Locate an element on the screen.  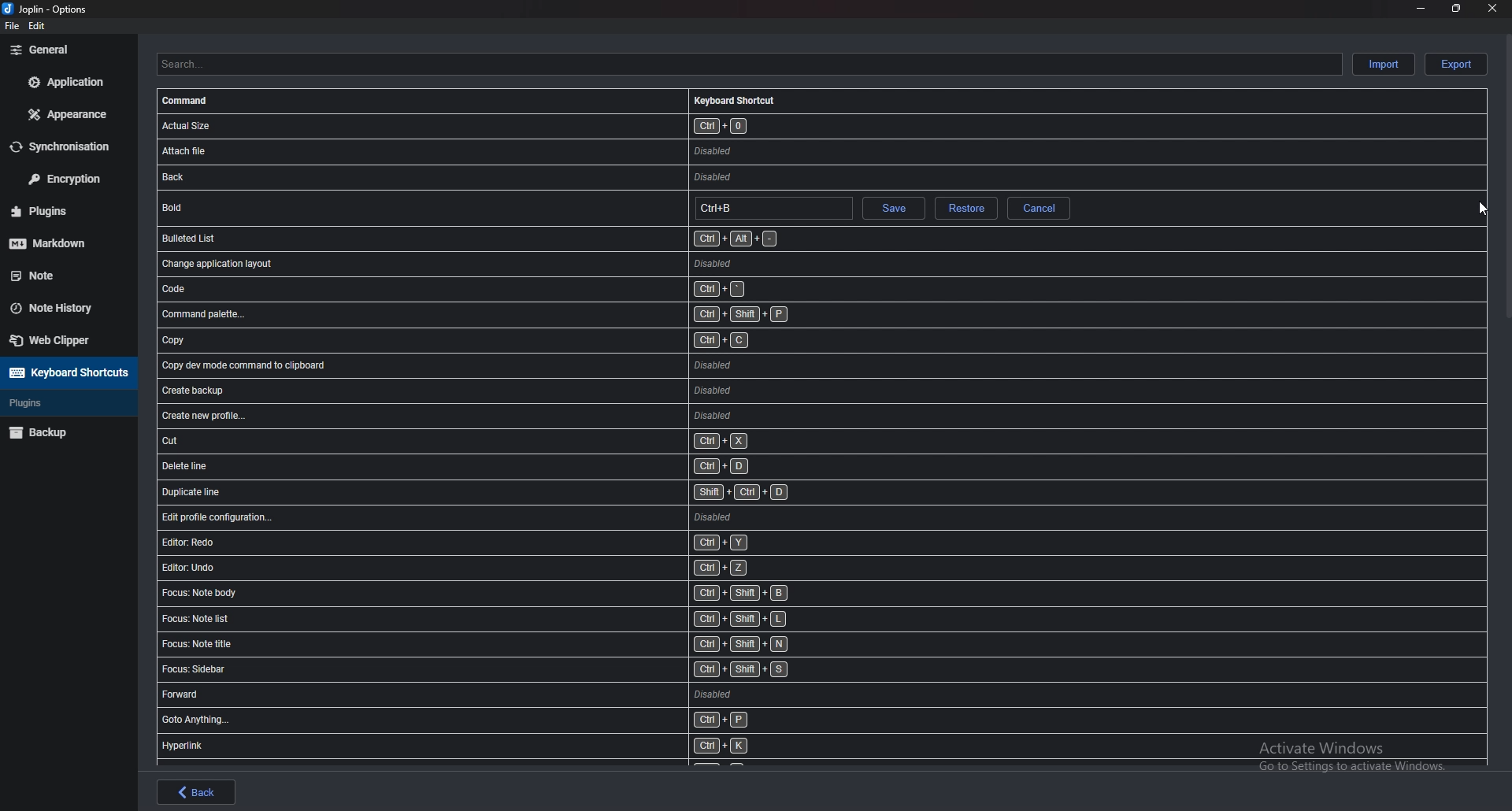
shortcut is located at coordinates (473, 127).